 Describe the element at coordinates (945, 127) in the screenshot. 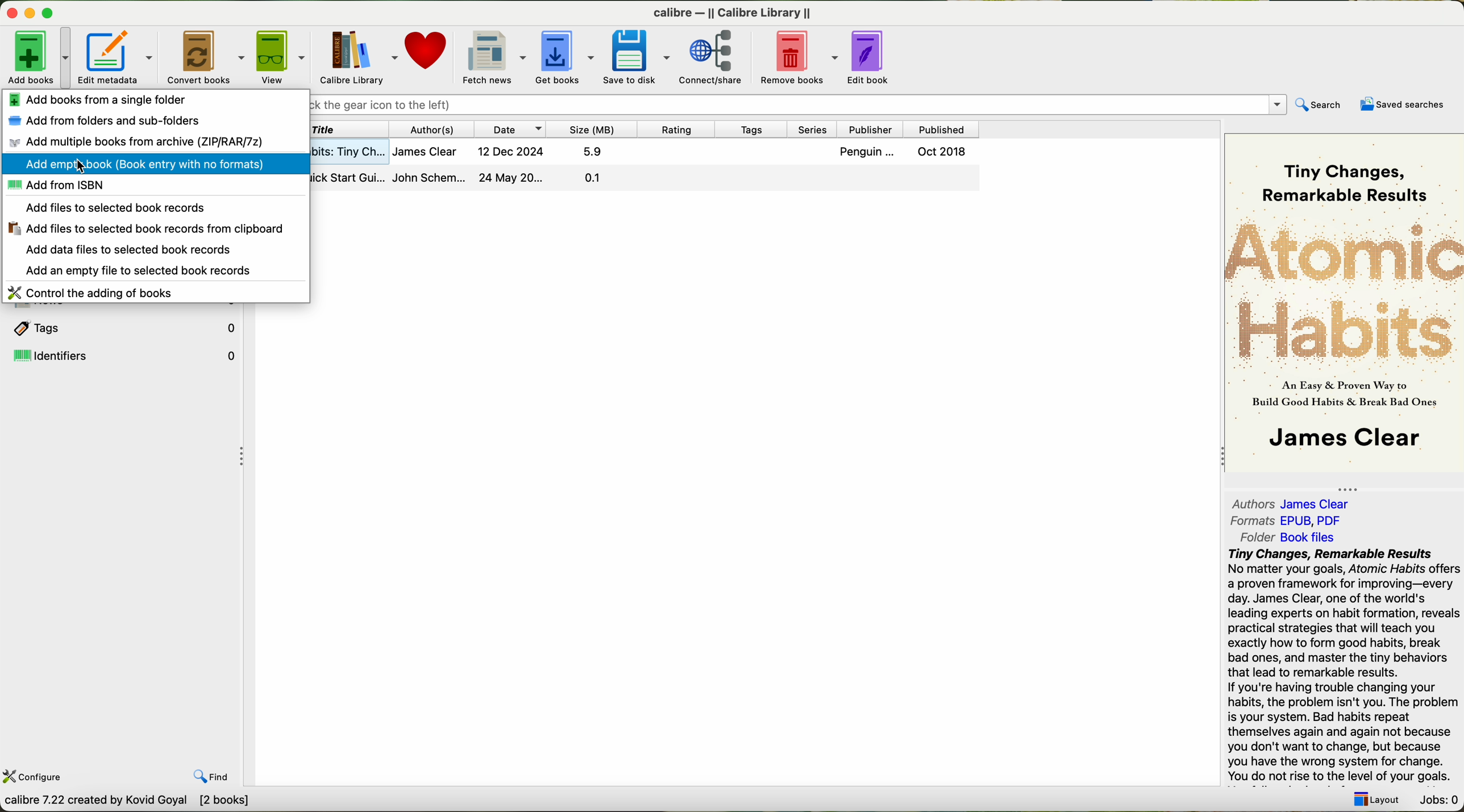

I see `published` at that location.